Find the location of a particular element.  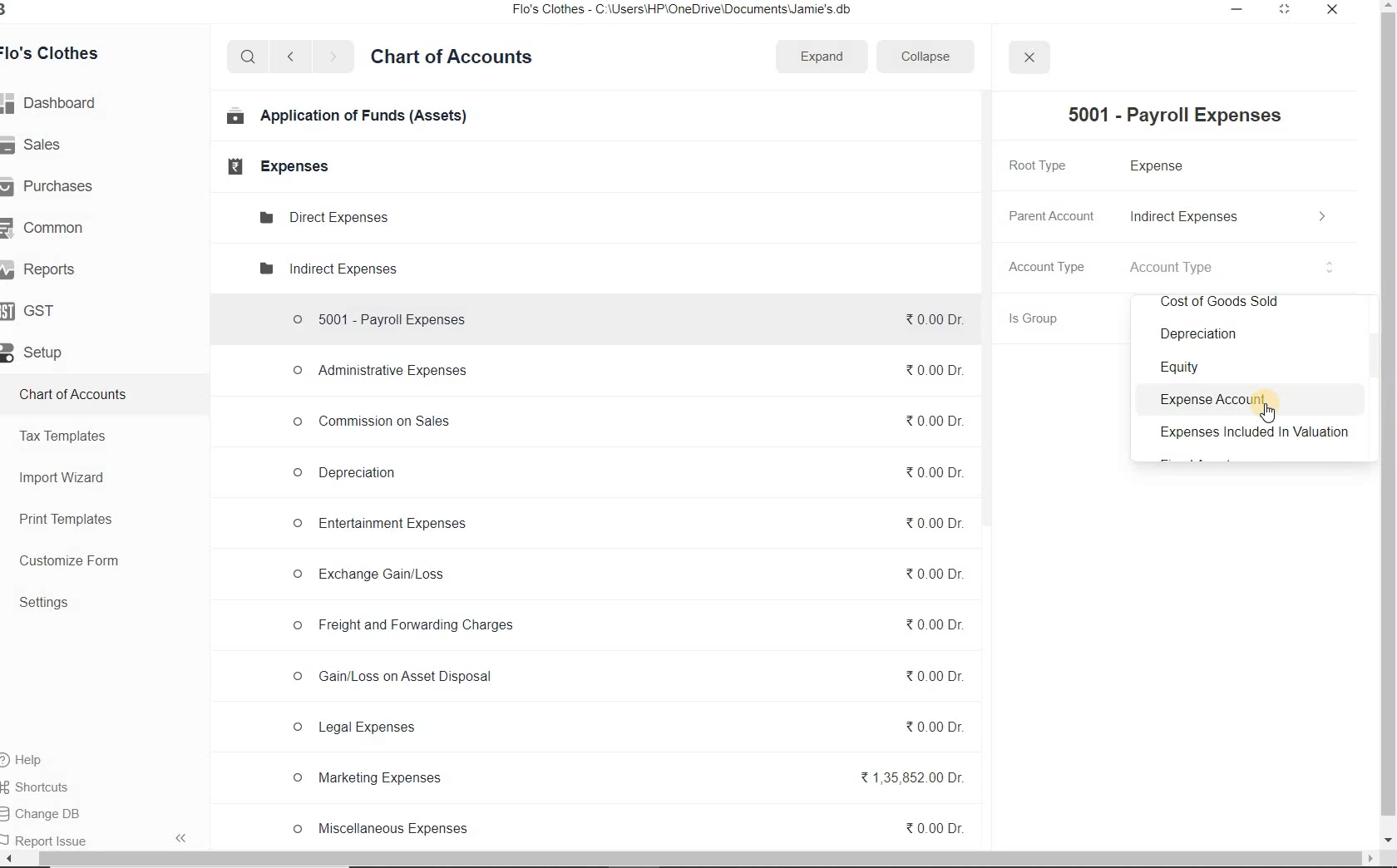

Dashboard is located at coordinates (57, 103).